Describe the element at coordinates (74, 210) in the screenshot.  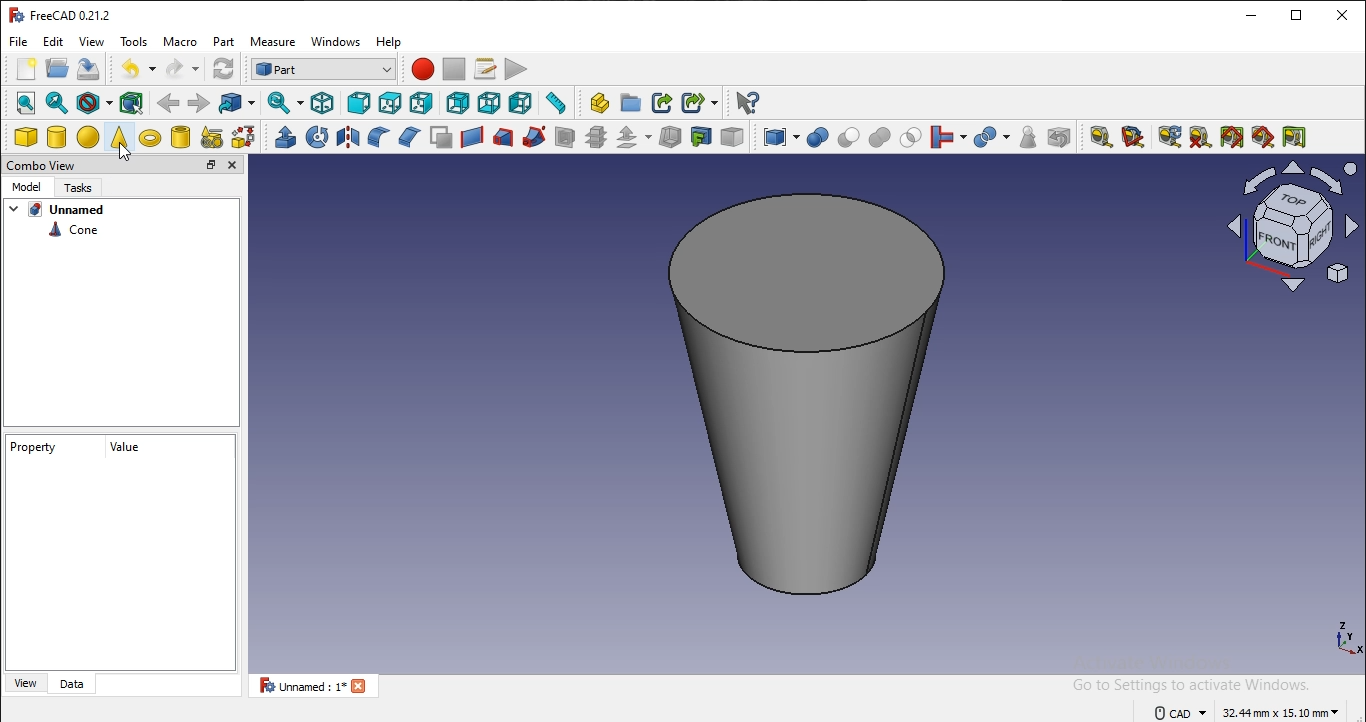
I see `unnamed` at that location.